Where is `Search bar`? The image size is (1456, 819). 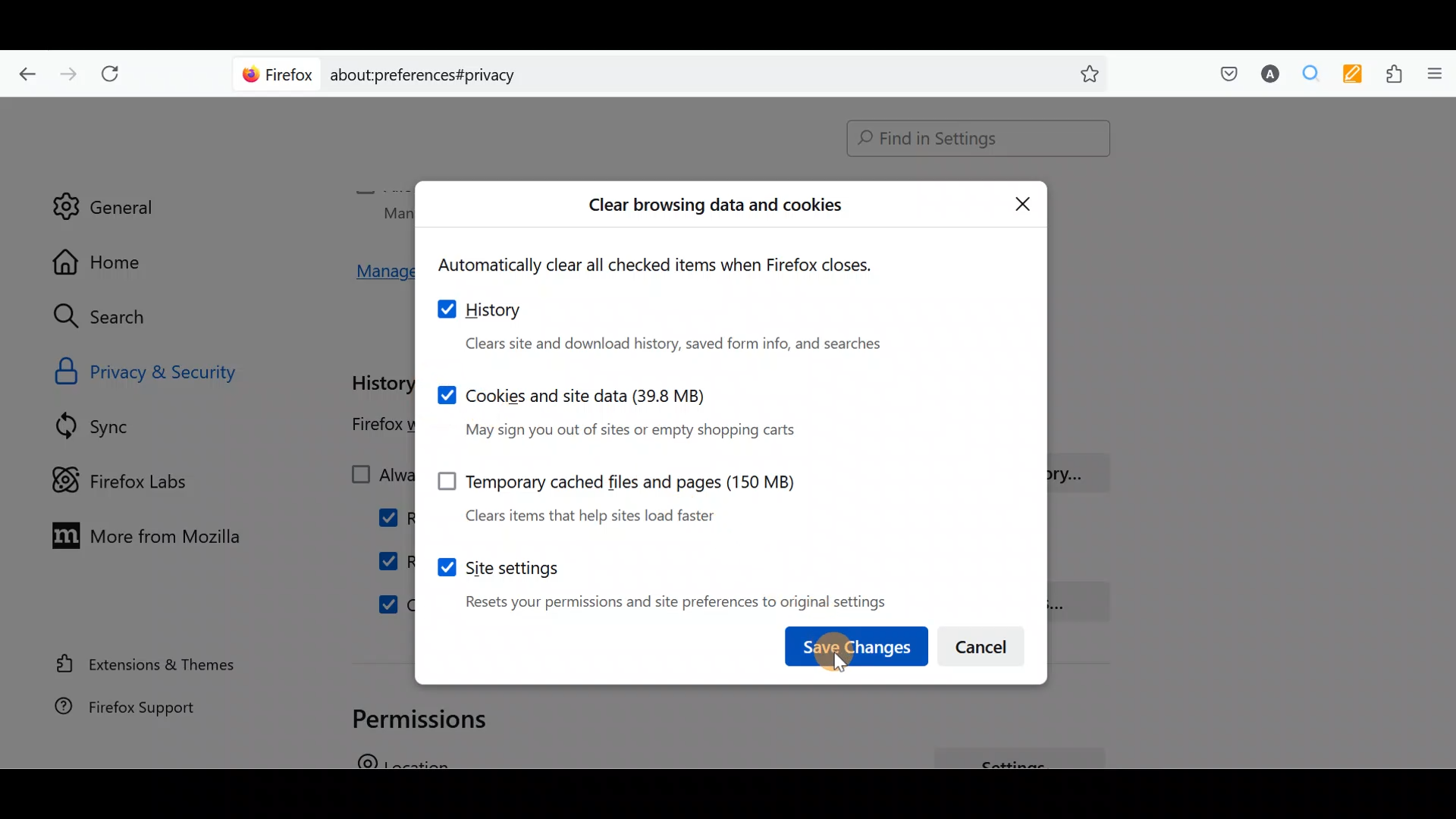 Search bar is located at coordinates (675, 72).